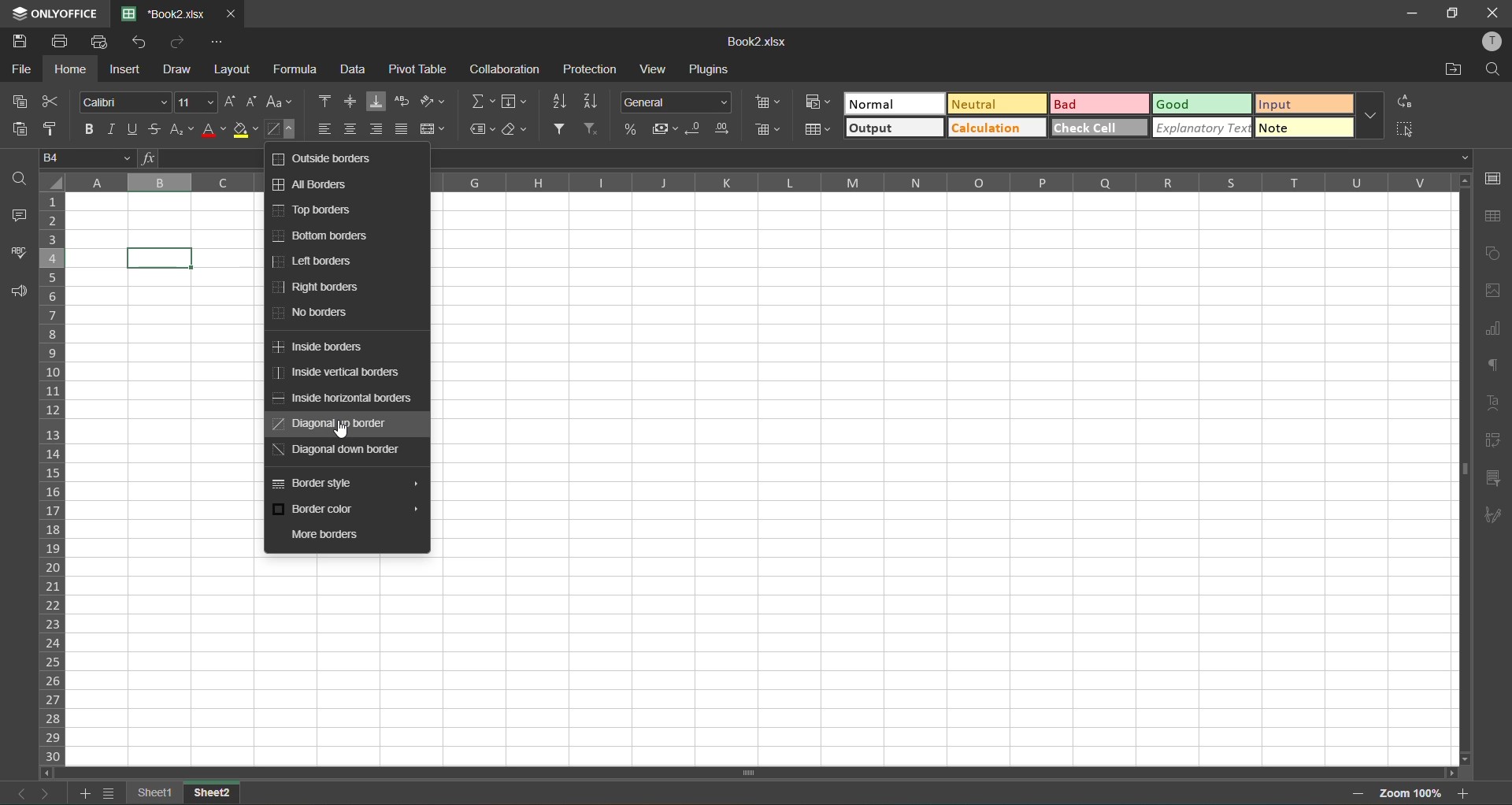 This screenshot has width=1512, height=805. I want to click on bad, so click(1098, 106).